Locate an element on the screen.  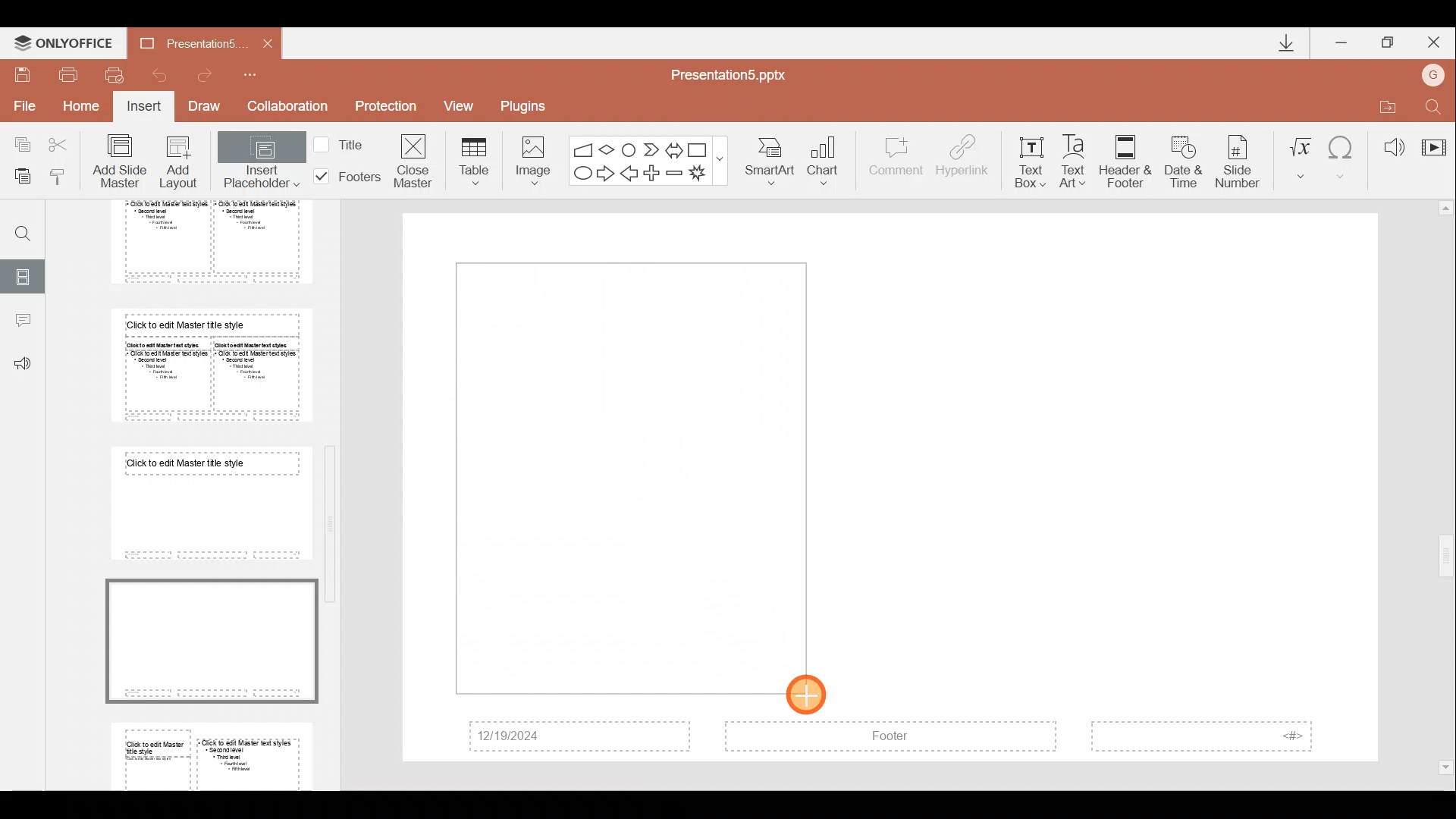
Title is located at coordinates (343, 143).